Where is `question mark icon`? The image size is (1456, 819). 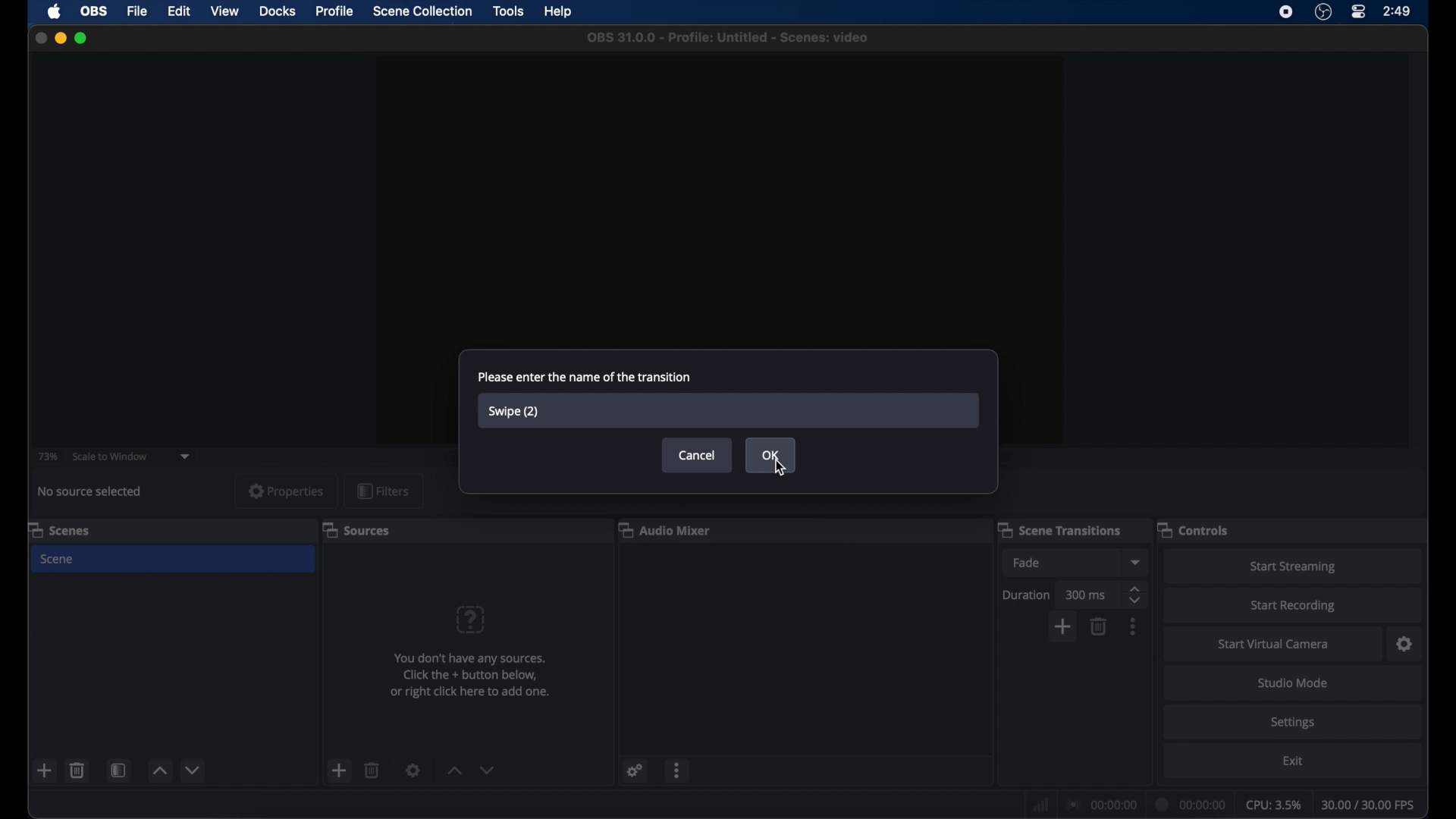 question mark icon is located at coordinates (472, 620).